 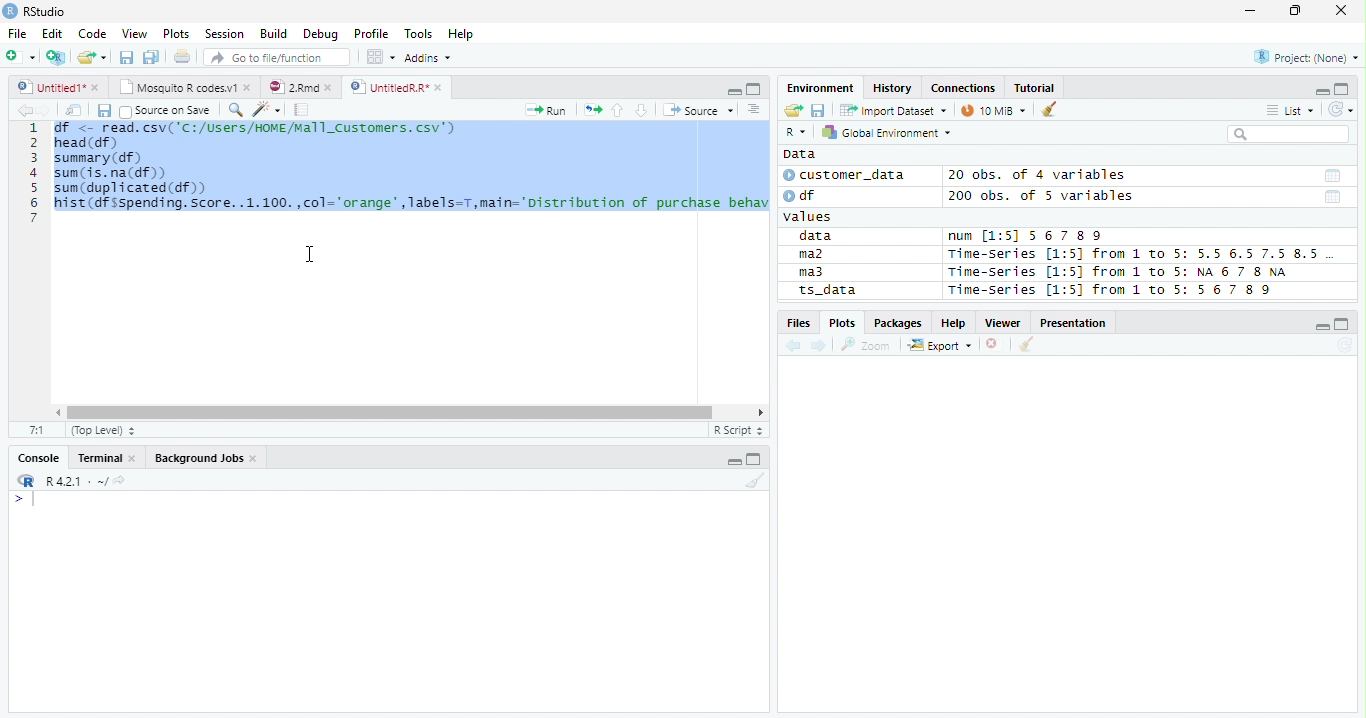 I want to click on Clean, so click(x=1027, y=344).